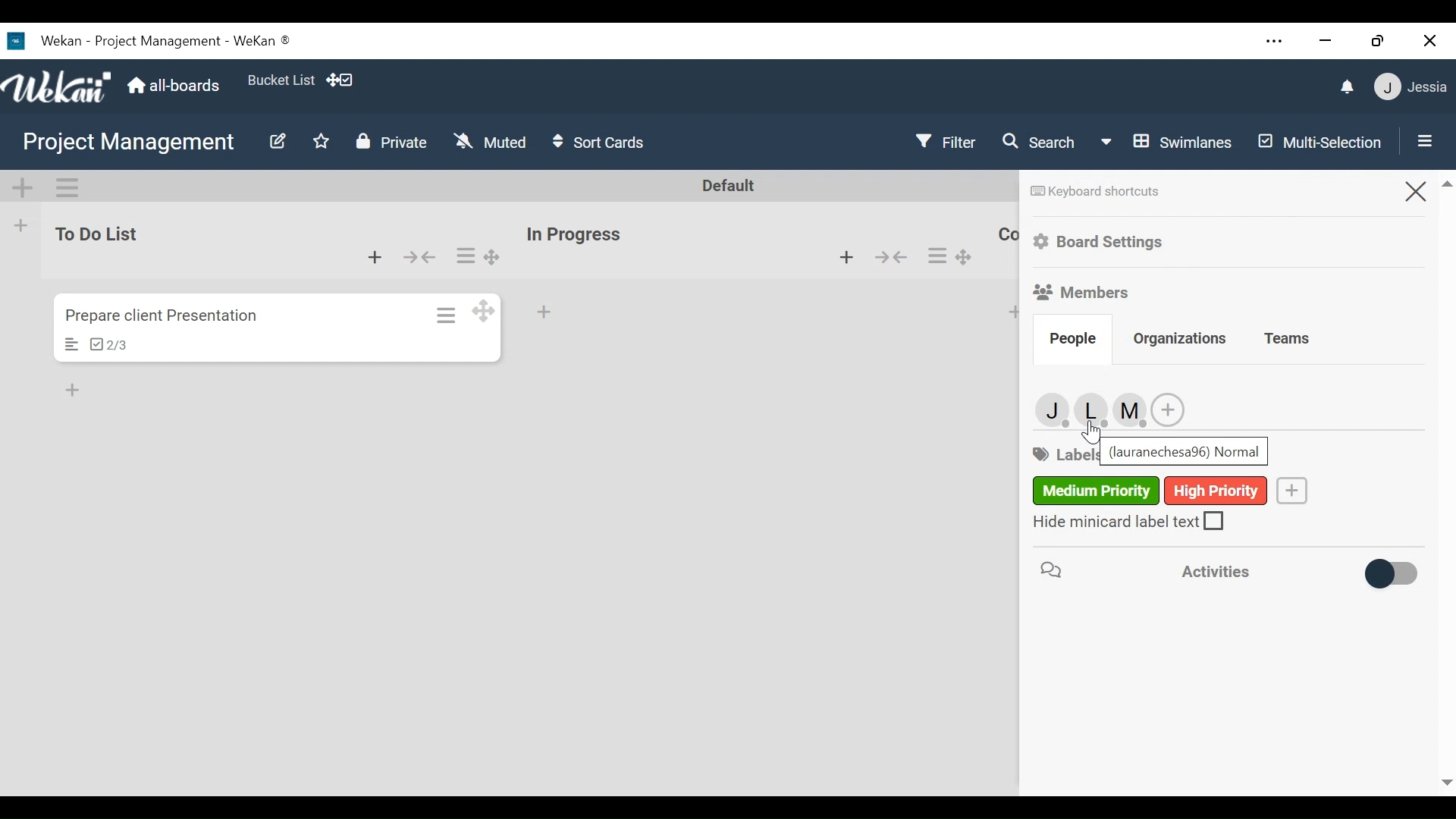 This screenshot has width=1456, height=819. Describe the element at coordinates (1073, 337) in the screenshot. I see `People` at that location.